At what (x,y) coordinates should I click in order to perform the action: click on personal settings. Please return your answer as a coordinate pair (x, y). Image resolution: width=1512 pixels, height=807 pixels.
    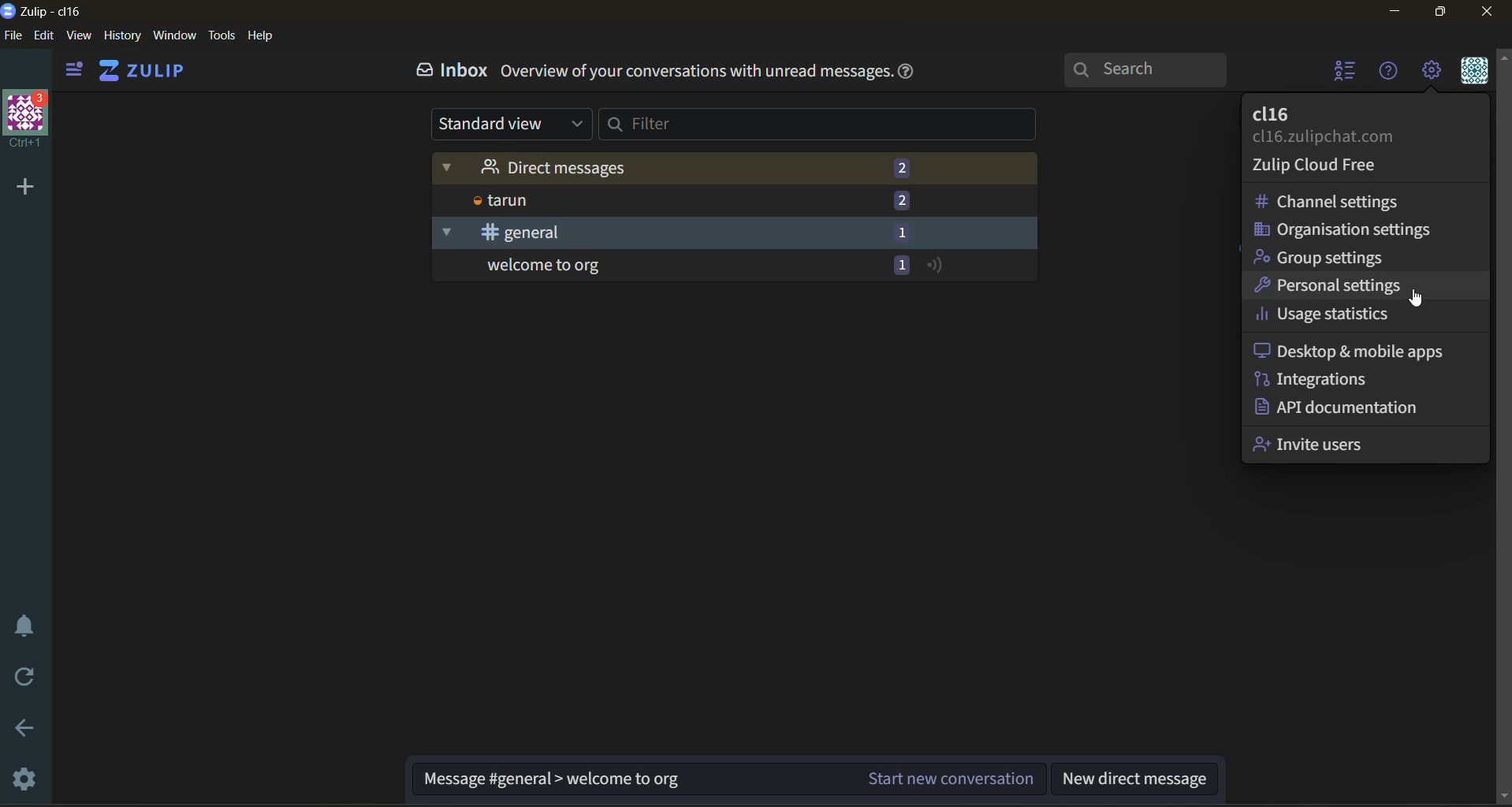
    Looking at the image, I should click on (1363, 288).